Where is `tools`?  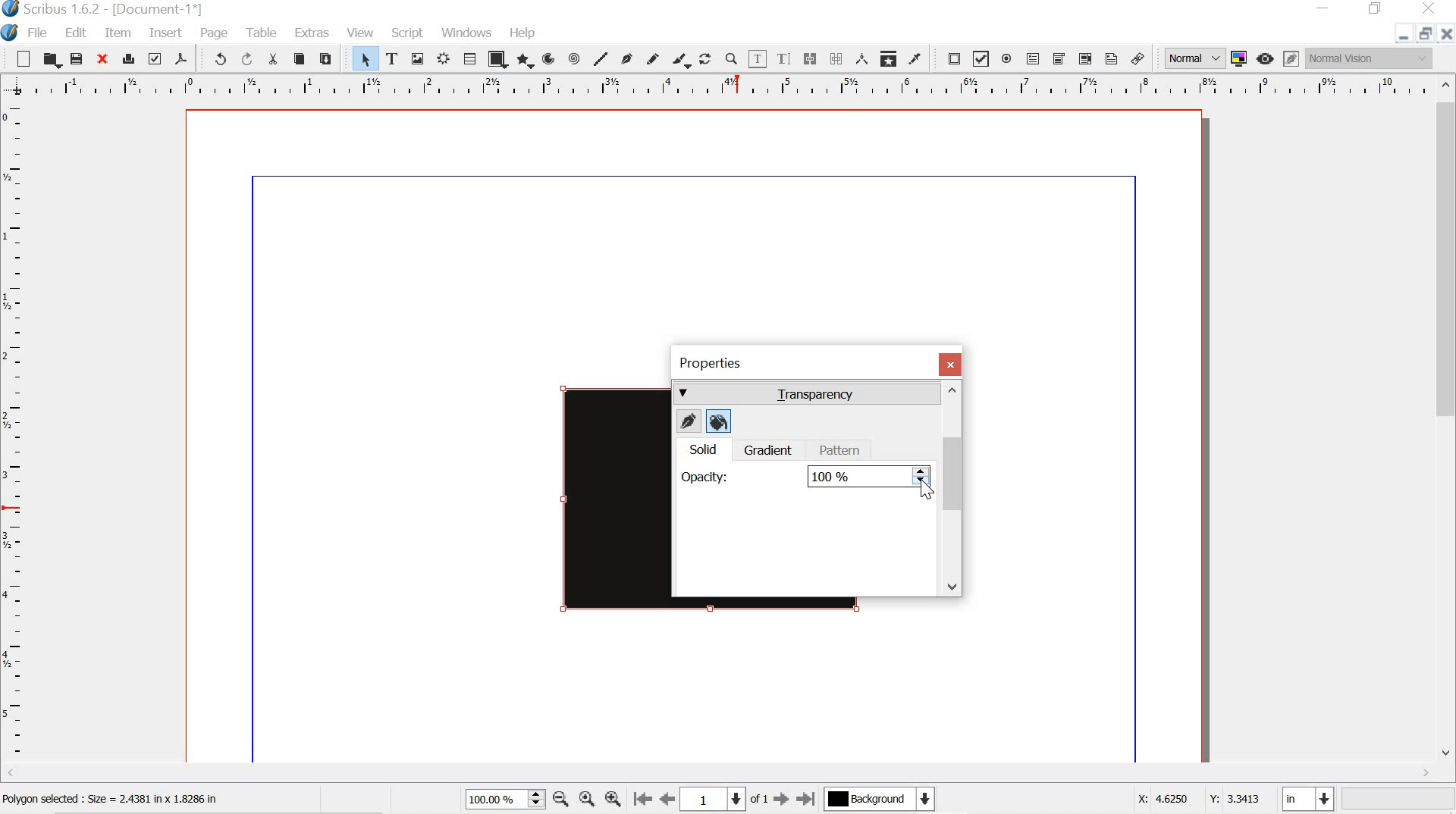
tools is located at coordinates (262, 31).